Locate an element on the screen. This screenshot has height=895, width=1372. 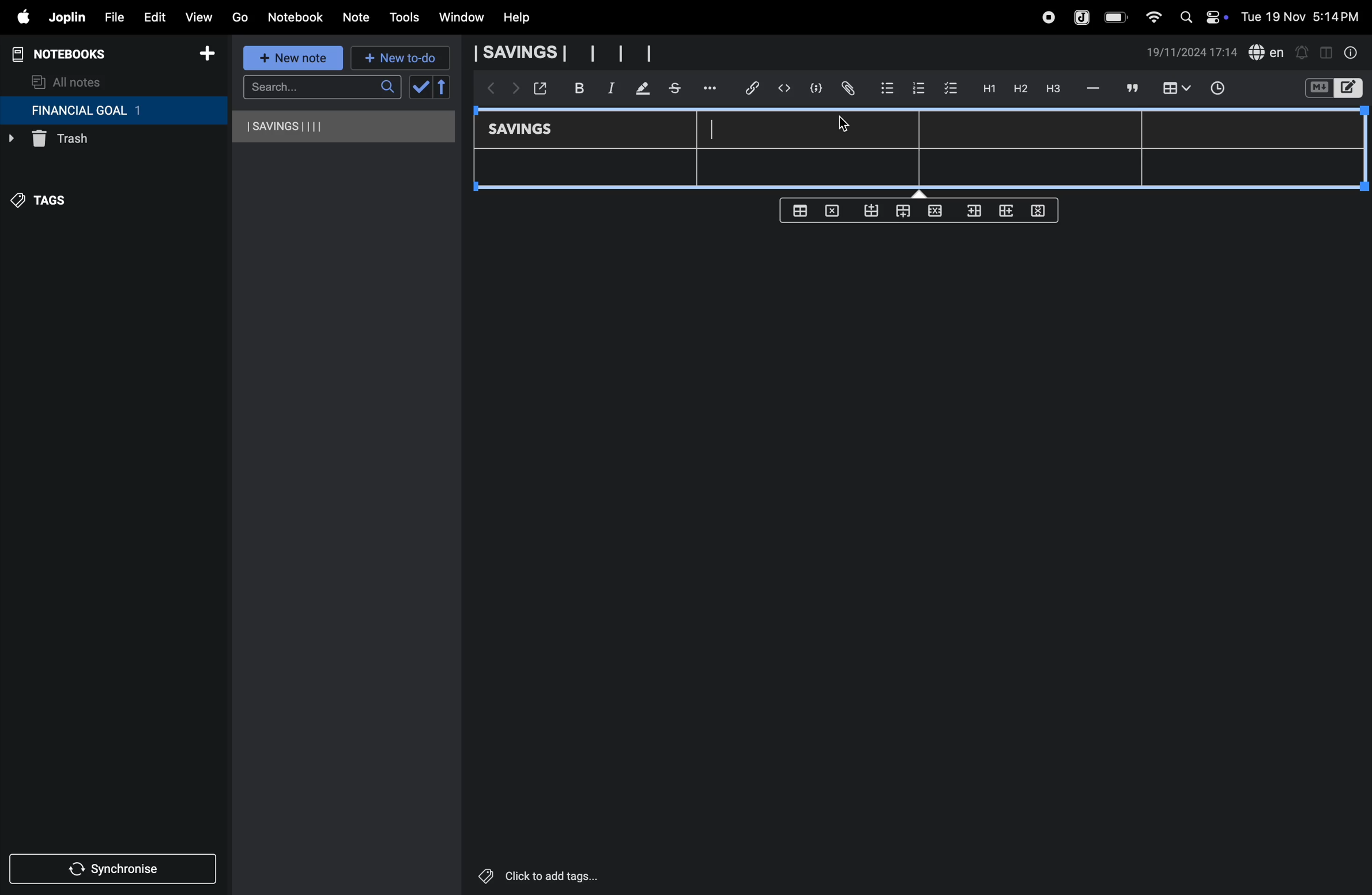
all notes is located at coordinates (67, 81).